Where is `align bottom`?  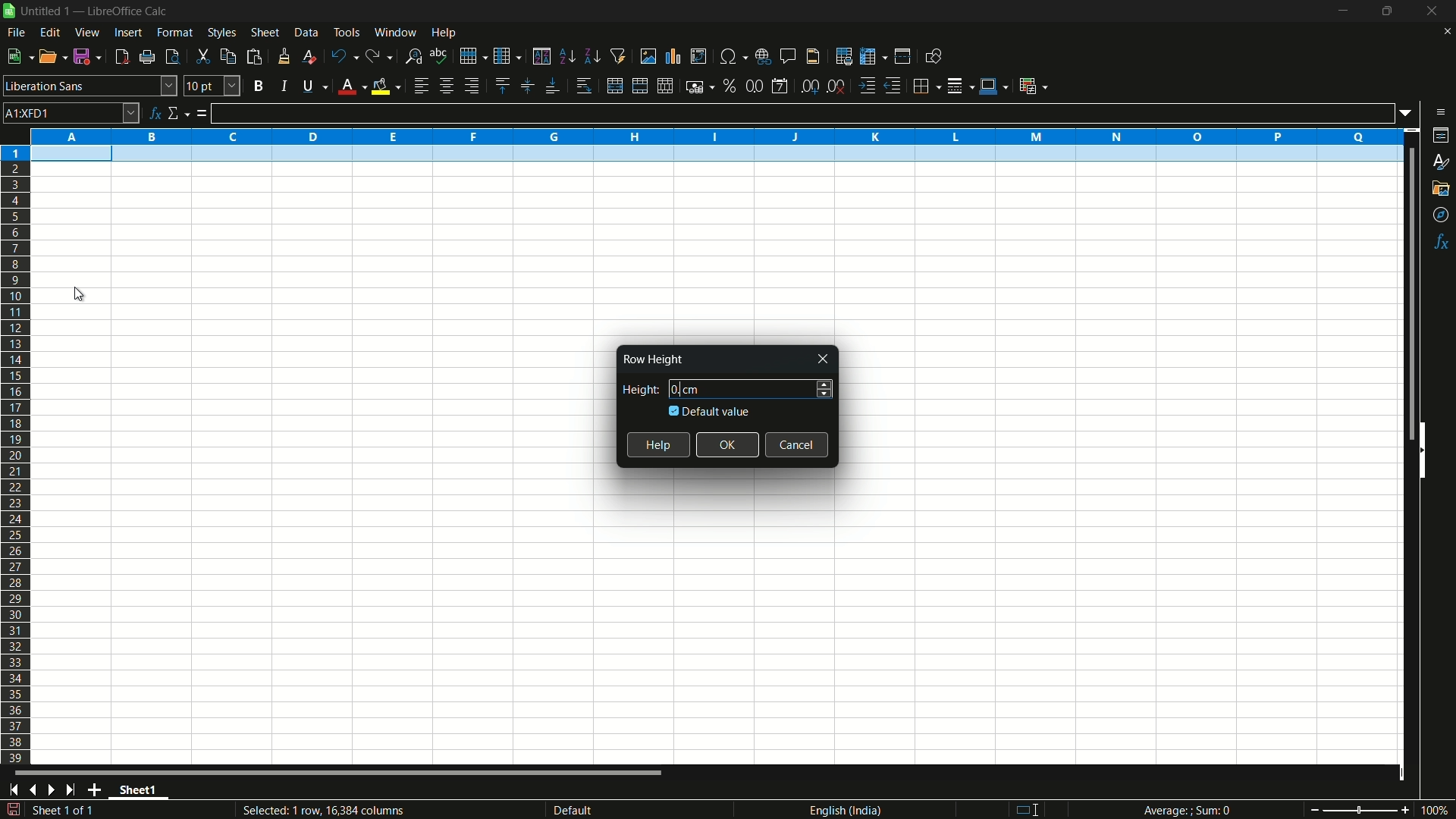
align bottom is located at coordinates (553, 87).